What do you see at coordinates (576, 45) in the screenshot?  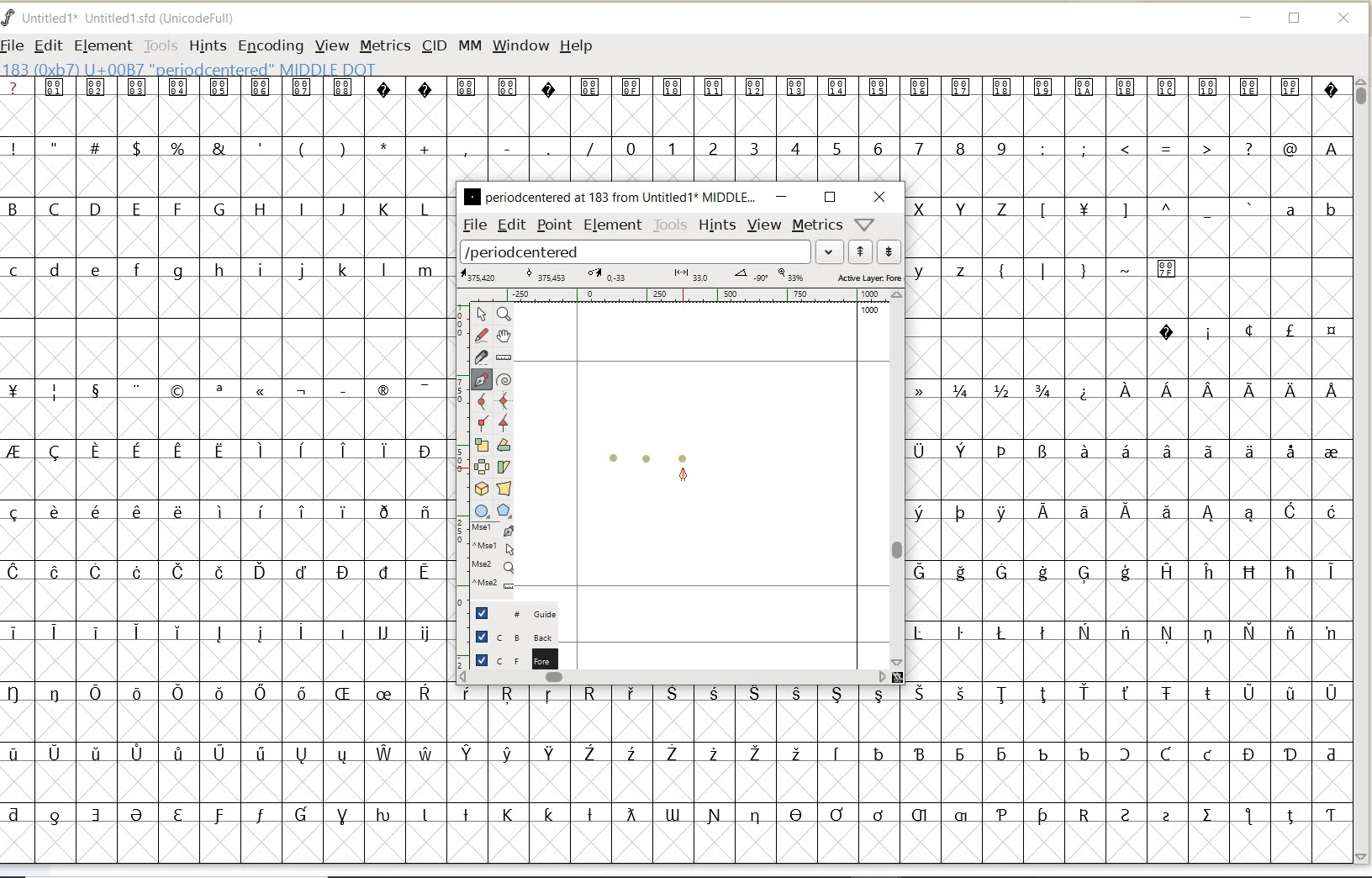 I see `HELP` at bounding box center [576, 45].